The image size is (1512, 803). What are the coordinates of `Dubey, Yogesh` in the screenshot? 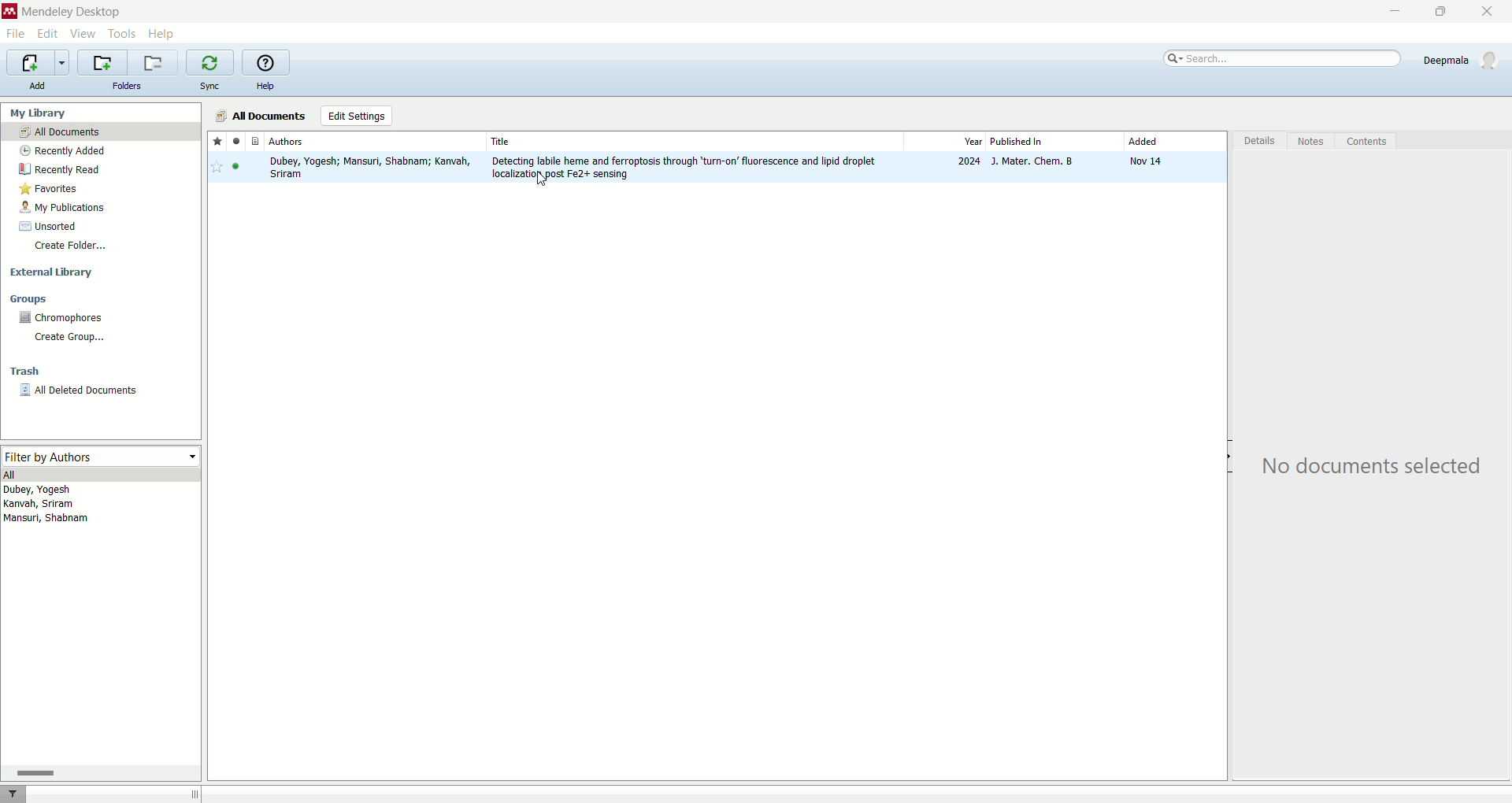 It's located at (42, 490).